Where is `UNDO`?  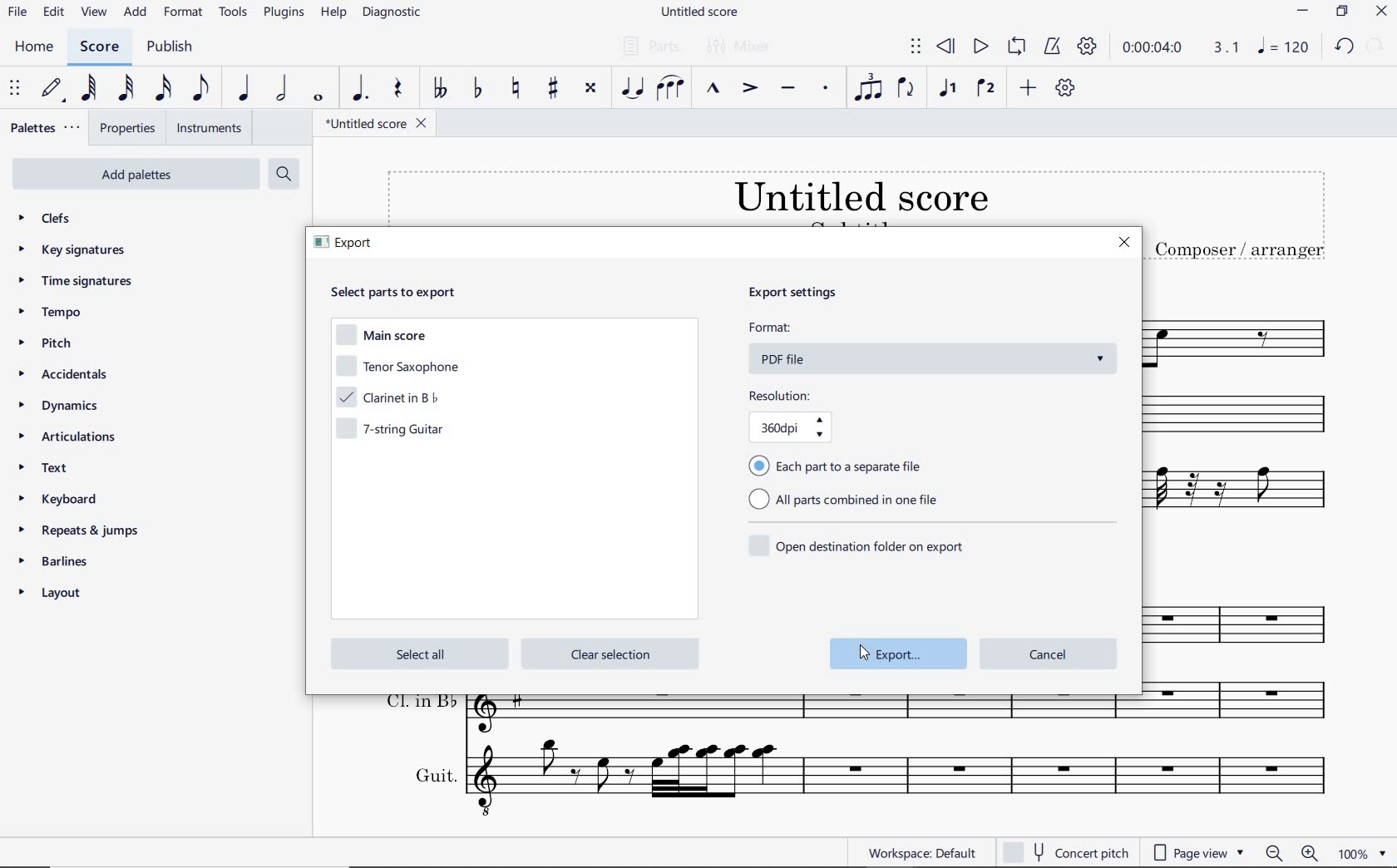 UNDO is located at coordinates (1345, 47).